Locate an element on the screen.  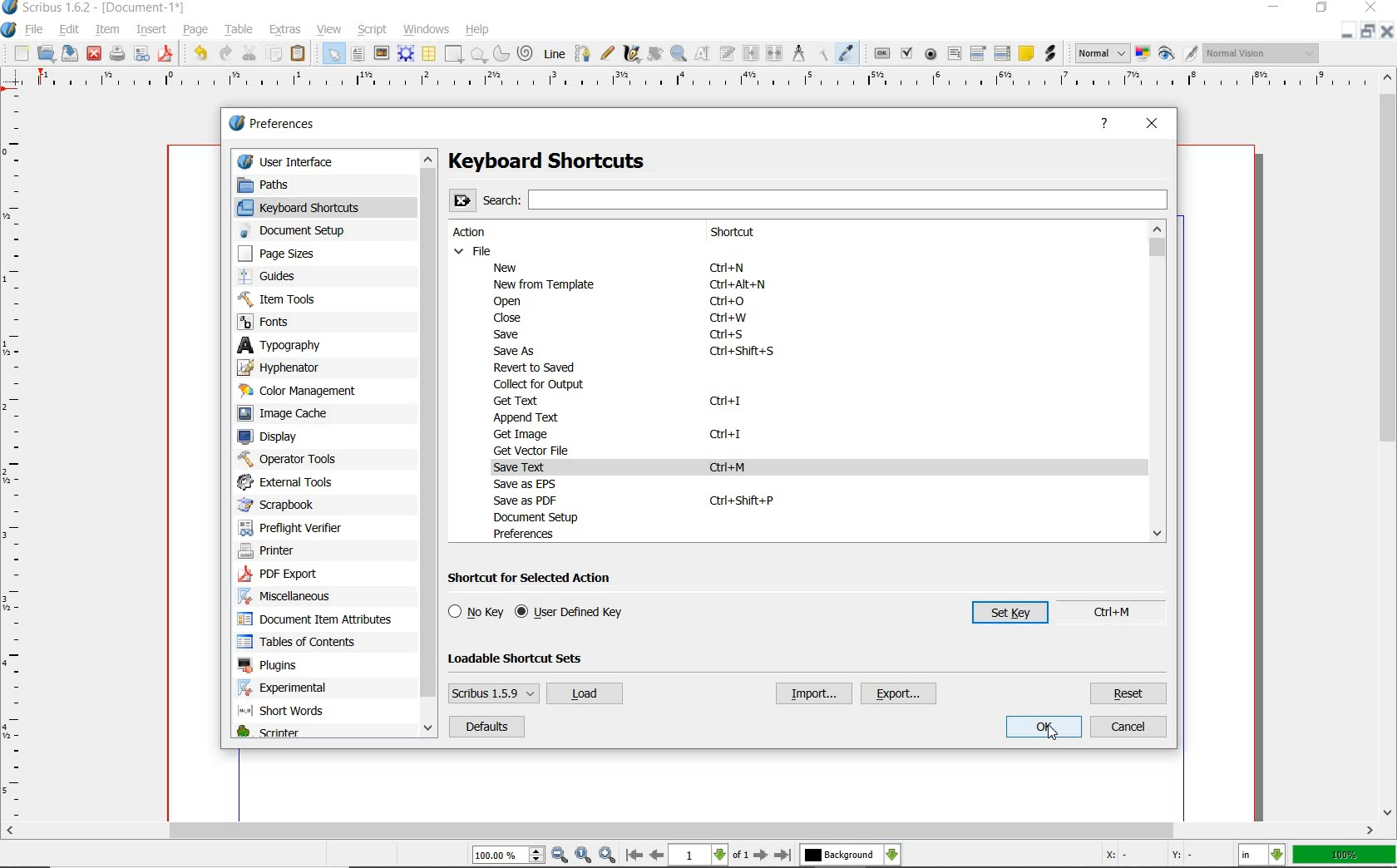
zoom in/zoom to/zoom out is located at coordinates (544, 856).